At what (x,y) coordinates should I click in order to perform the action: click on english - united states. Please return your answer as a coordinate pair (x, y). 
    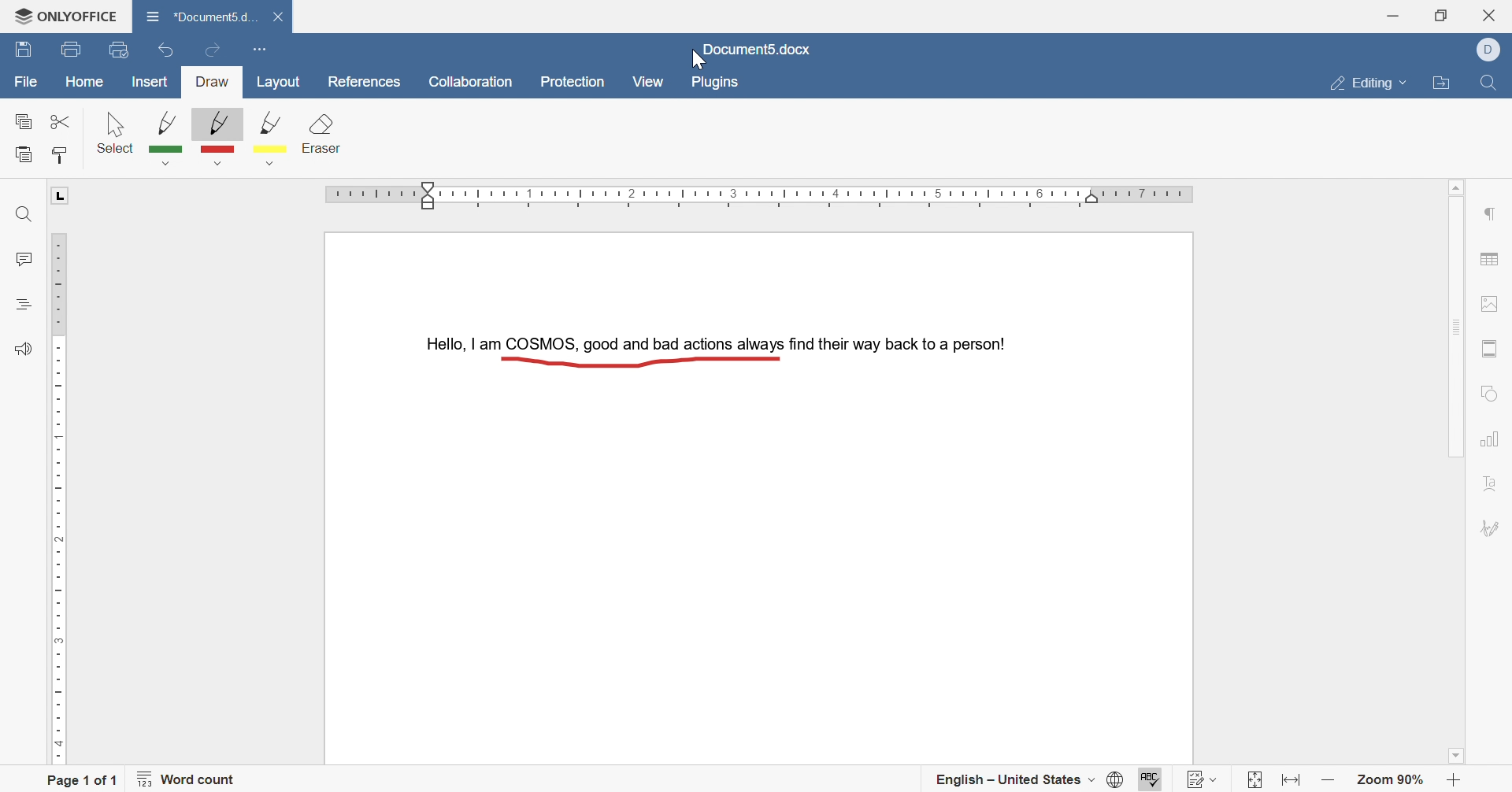
    Looking at the image, I should click on (1014, 783).